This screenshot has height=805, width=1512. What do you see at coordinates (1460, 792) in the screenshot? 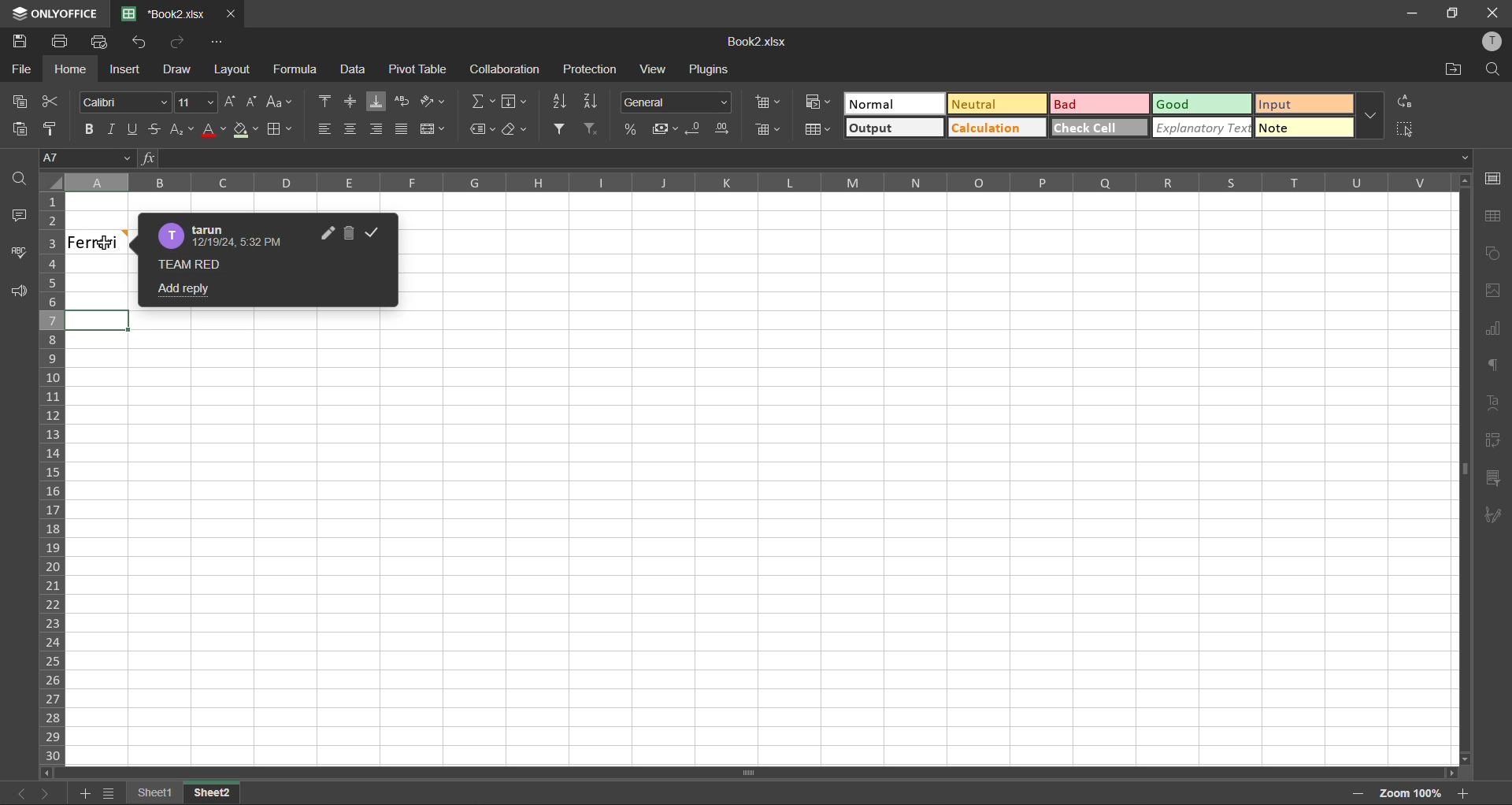
I see `zoom in` at bounding box center [1460, 792].